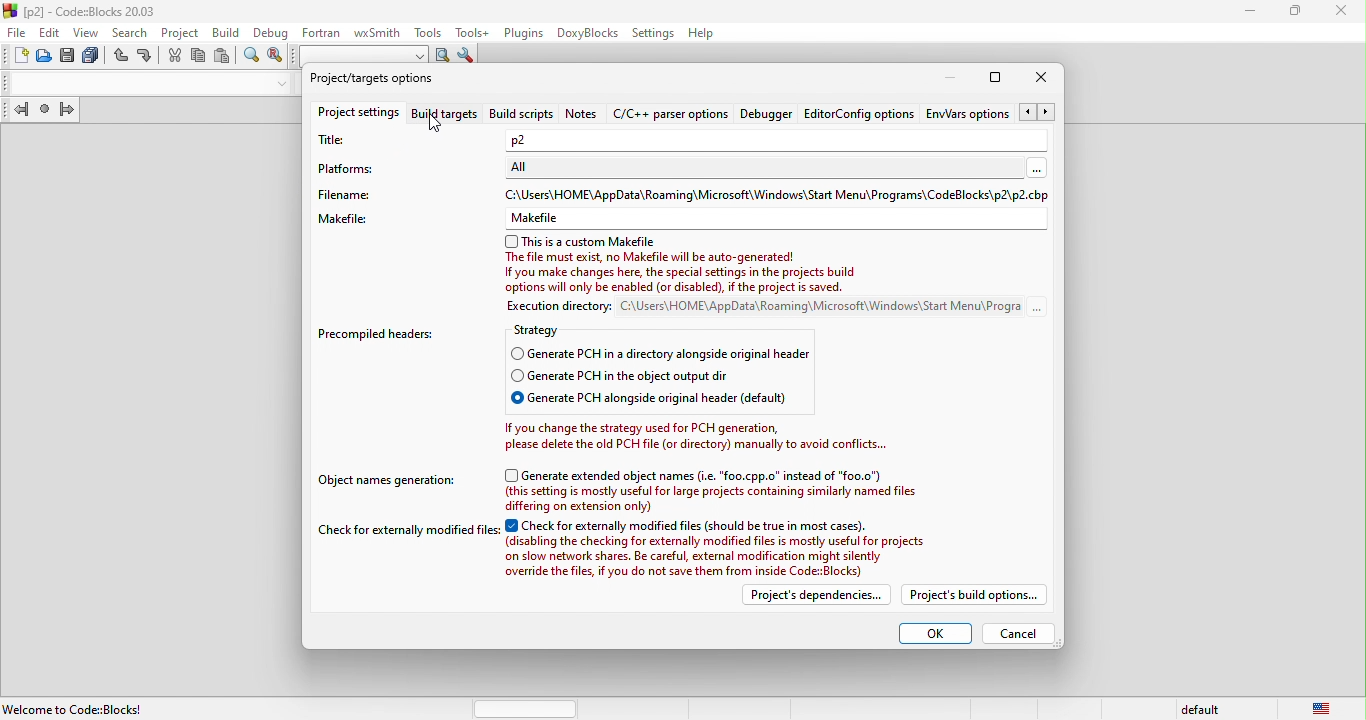 The height and width of the screenshot is (720, 1366). Describe the element at coordinates (740, 141) in the screenshot. I see `P2` at that location.